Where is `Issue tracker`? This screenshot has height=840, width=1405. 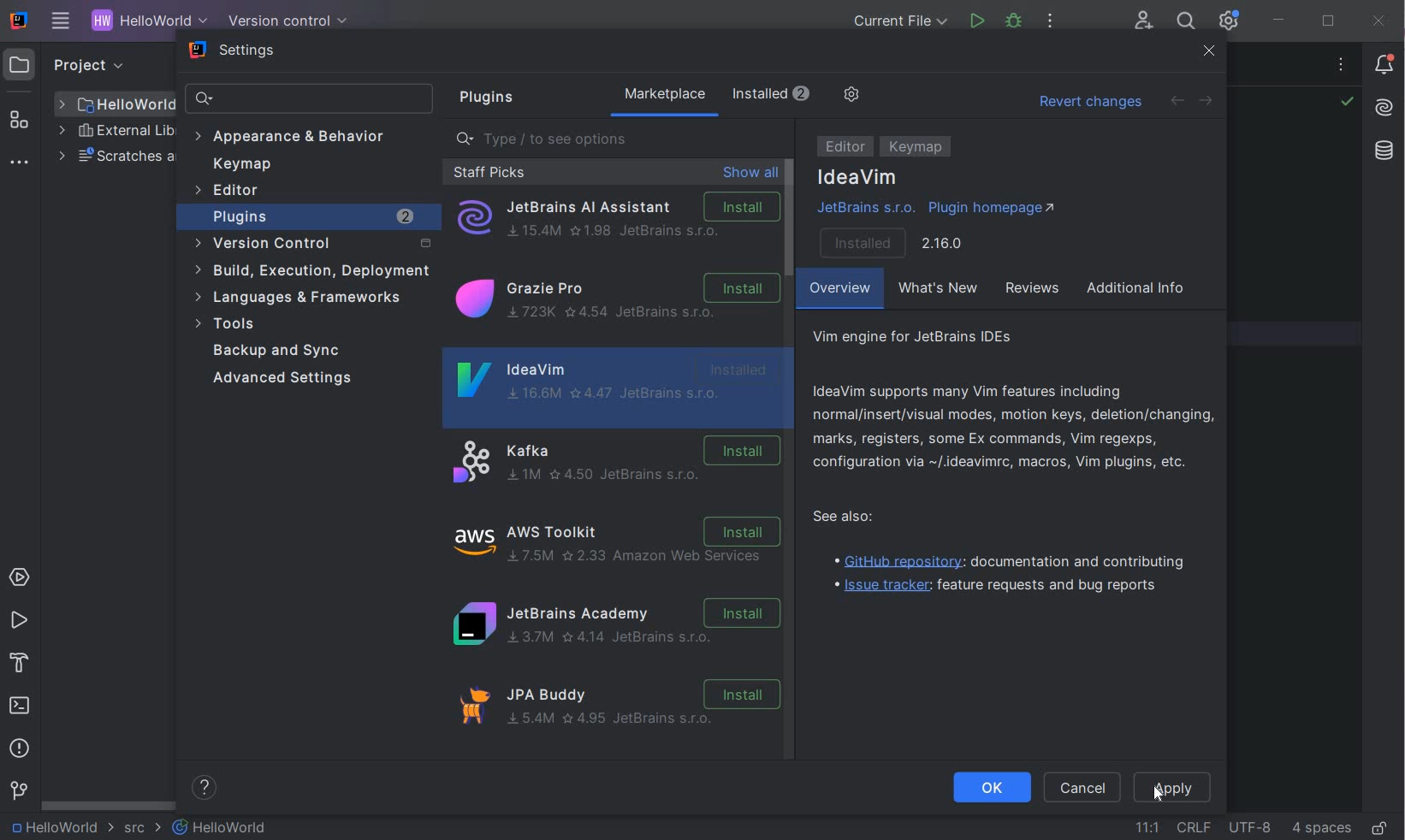 Issue tracker is located at coordinates (991, 587).